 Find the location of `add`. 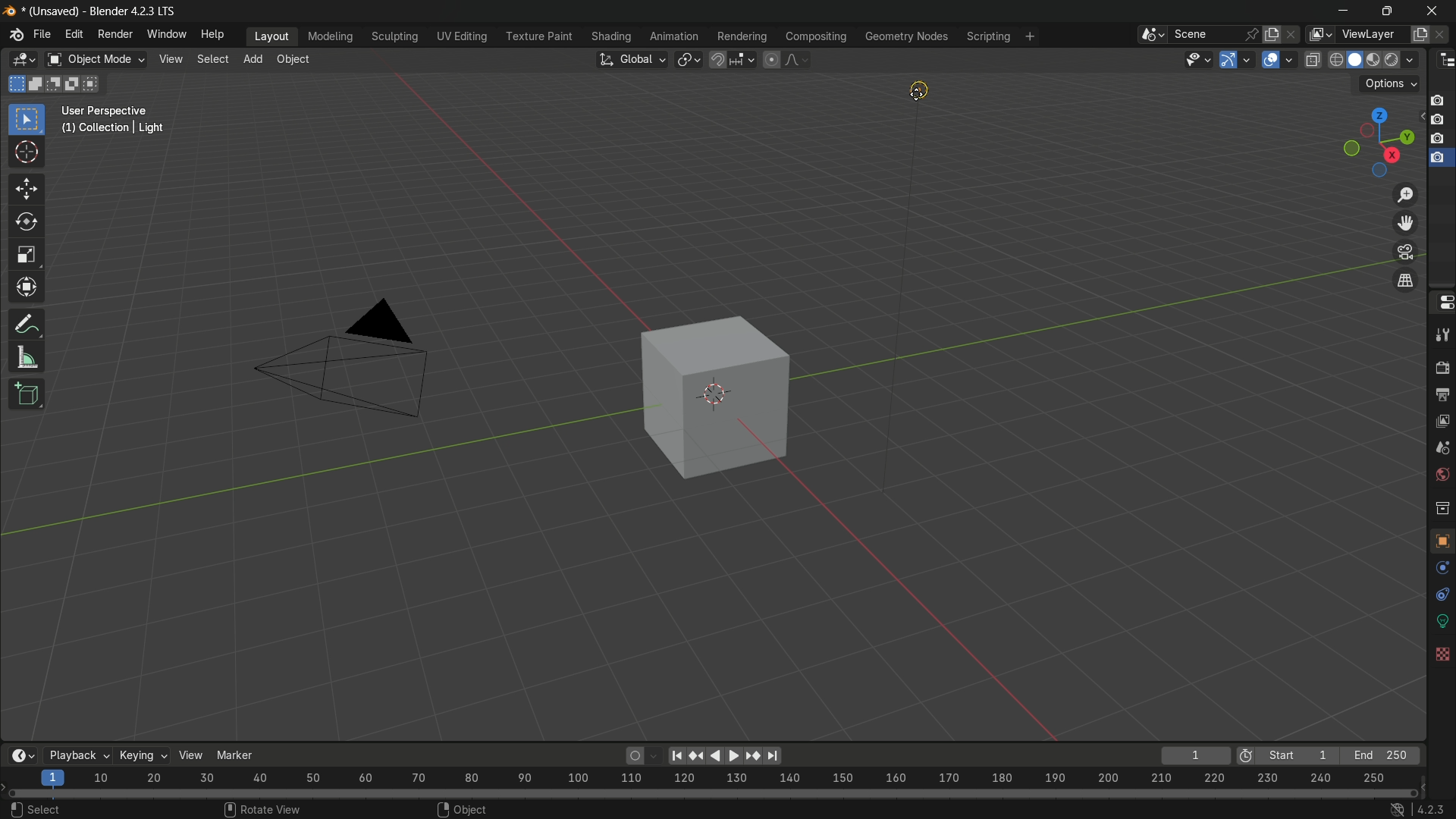

add is located at coordinates (254, 59).